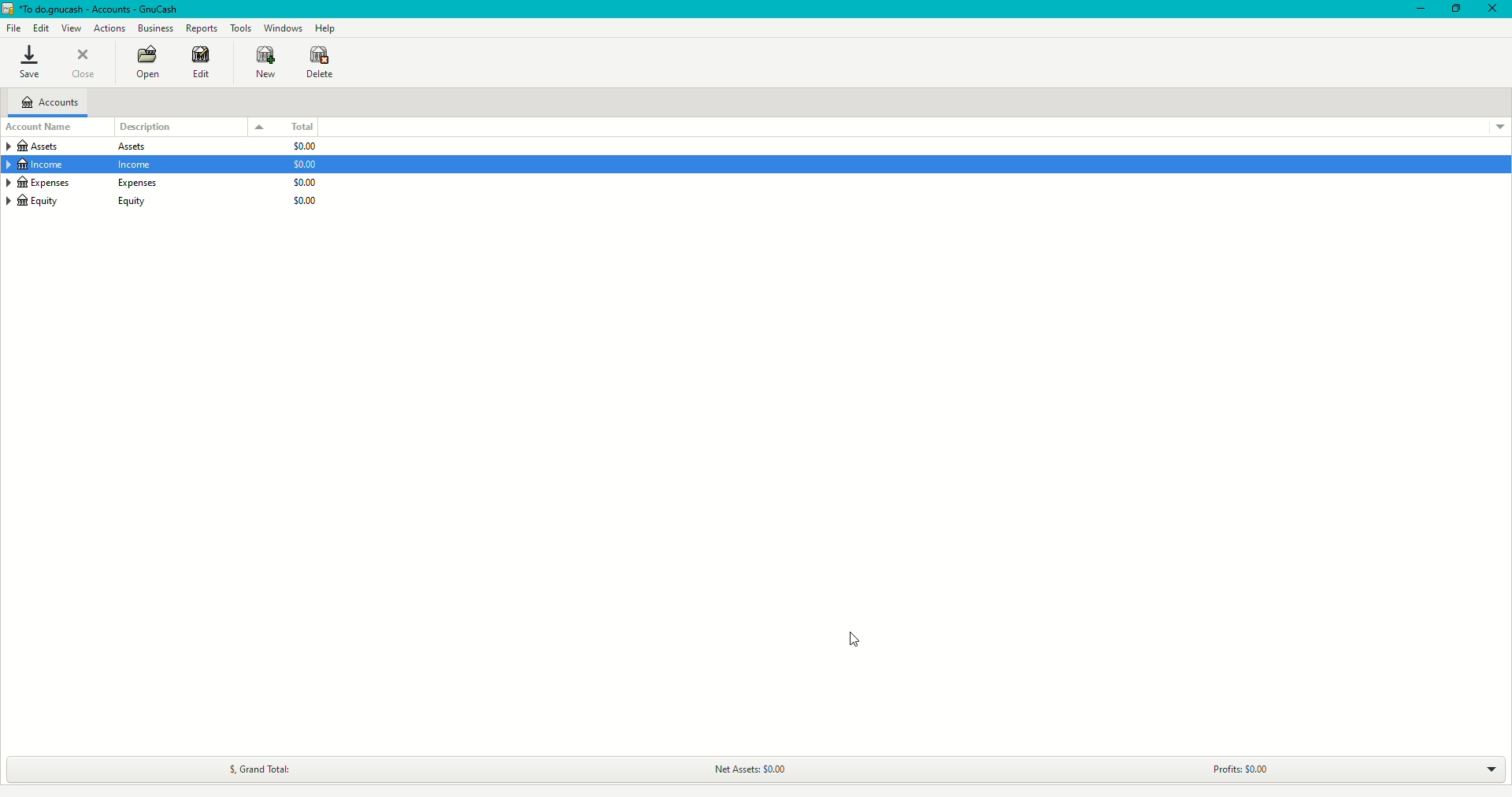  Describe the element at coordinates (1493, 9) in the screenshot. I see `Close` at that location.